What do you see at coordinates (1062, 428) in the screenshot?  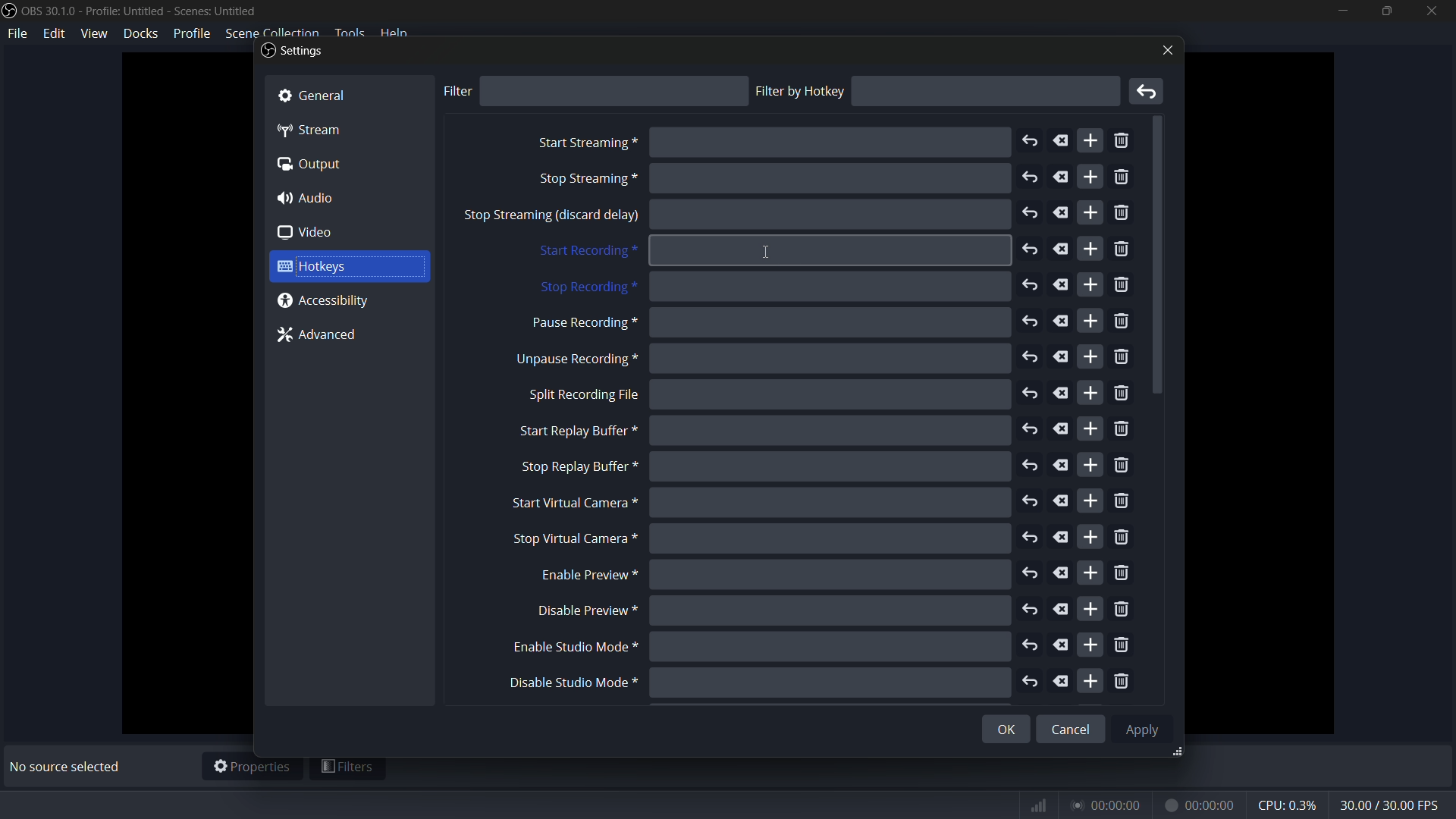 I see `delete` at bounding box center [1062, 428].